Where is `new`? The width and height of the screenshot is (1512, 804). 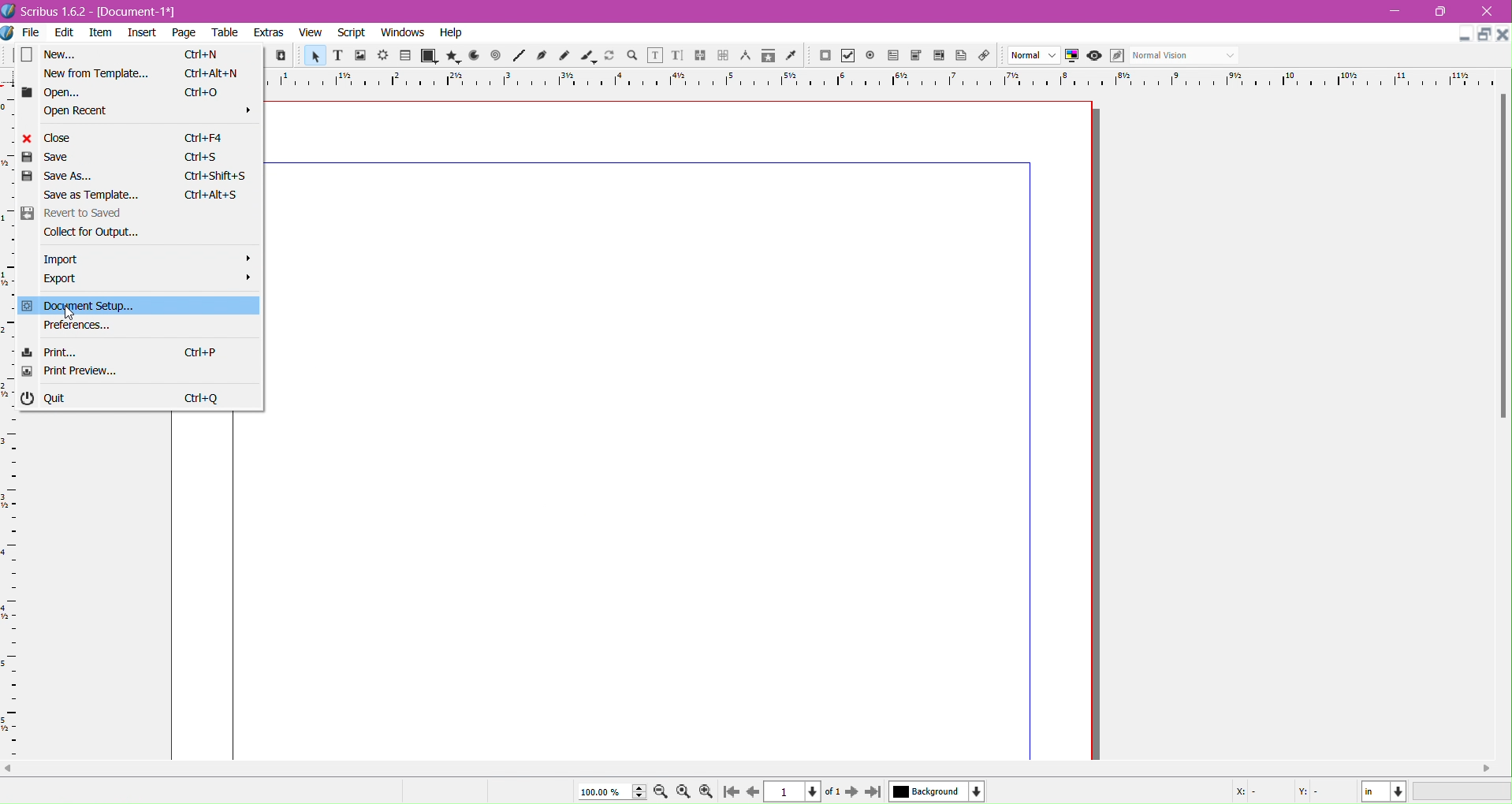
new is located at coordinates (50, 54).